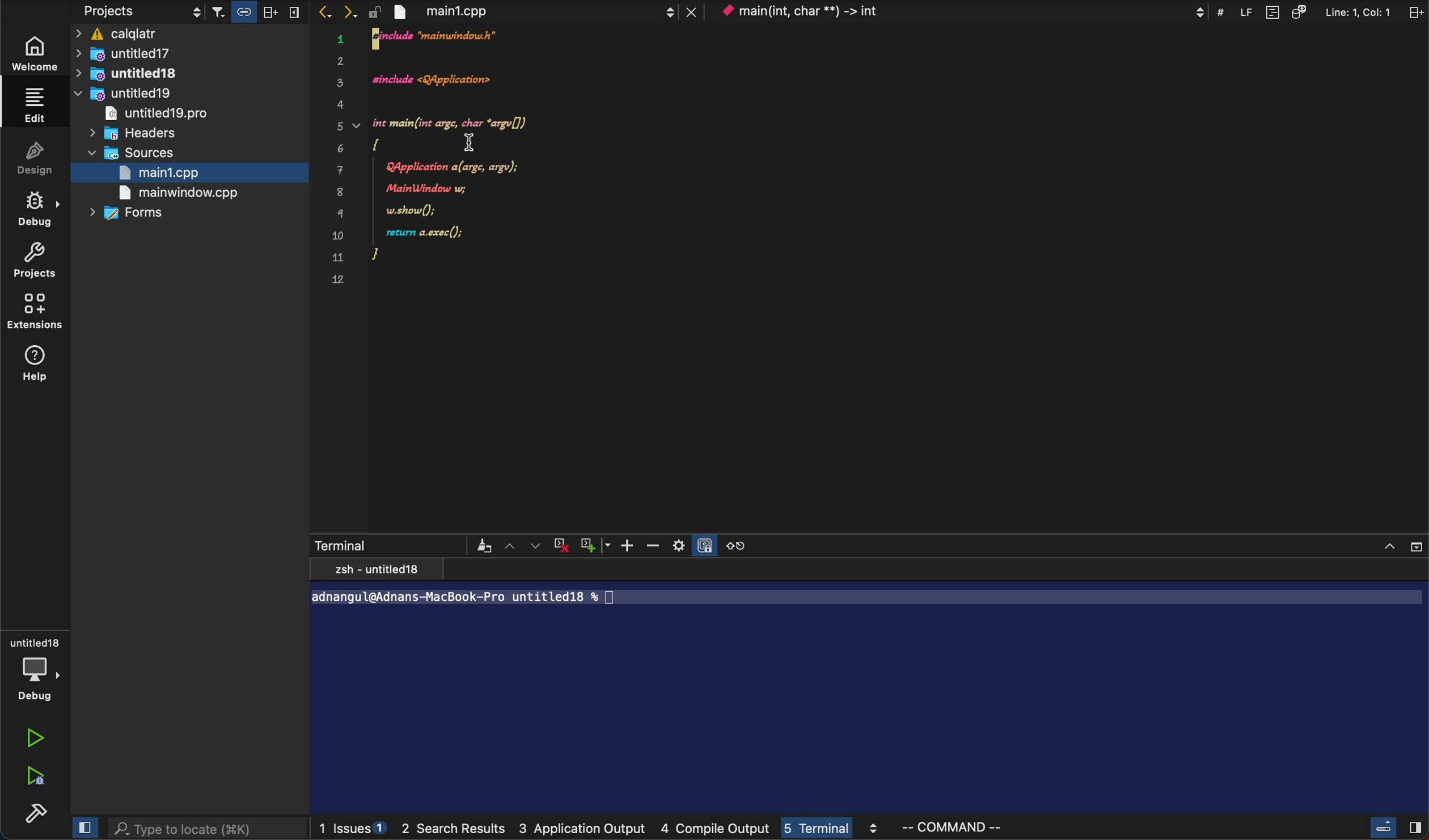 This screenshot has width=1429, height=840. I want to click on arrows, so click(338, 11).